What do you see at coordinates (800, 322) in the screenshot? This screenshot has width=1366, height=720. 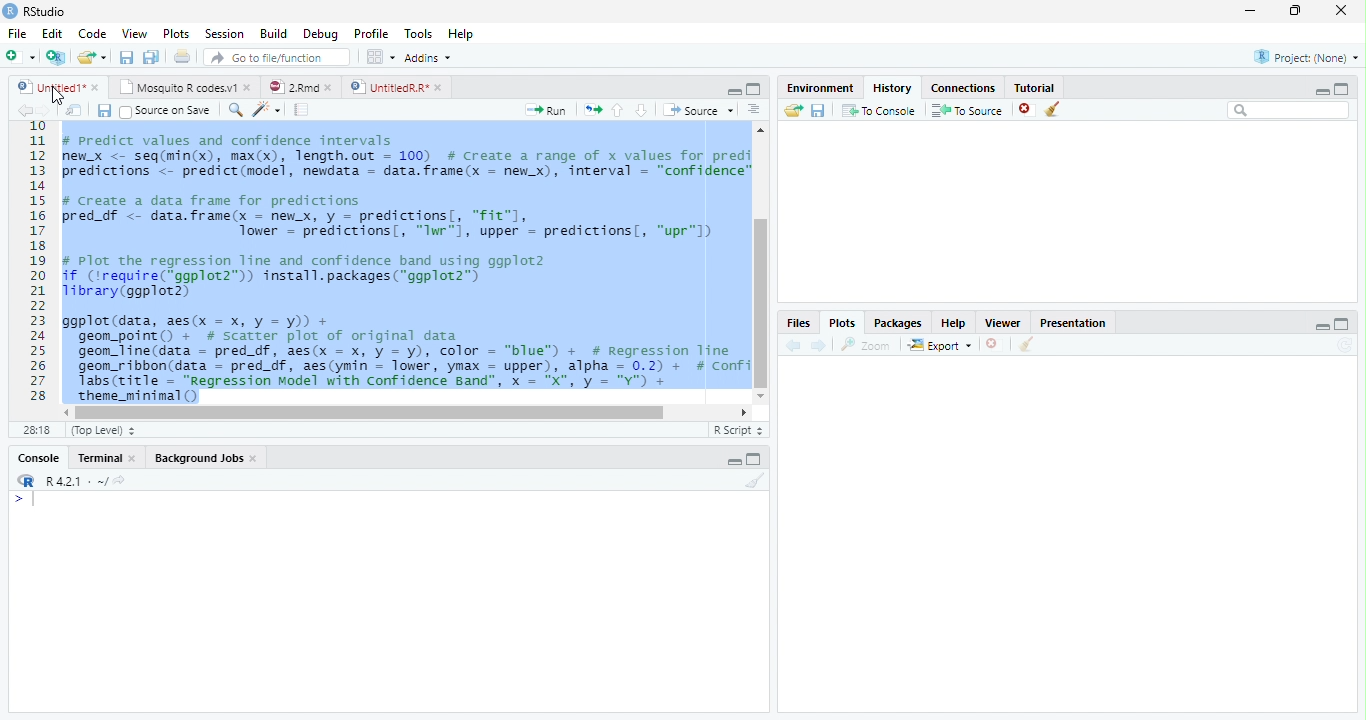 I see `Files` at bounding box center [800, 322].